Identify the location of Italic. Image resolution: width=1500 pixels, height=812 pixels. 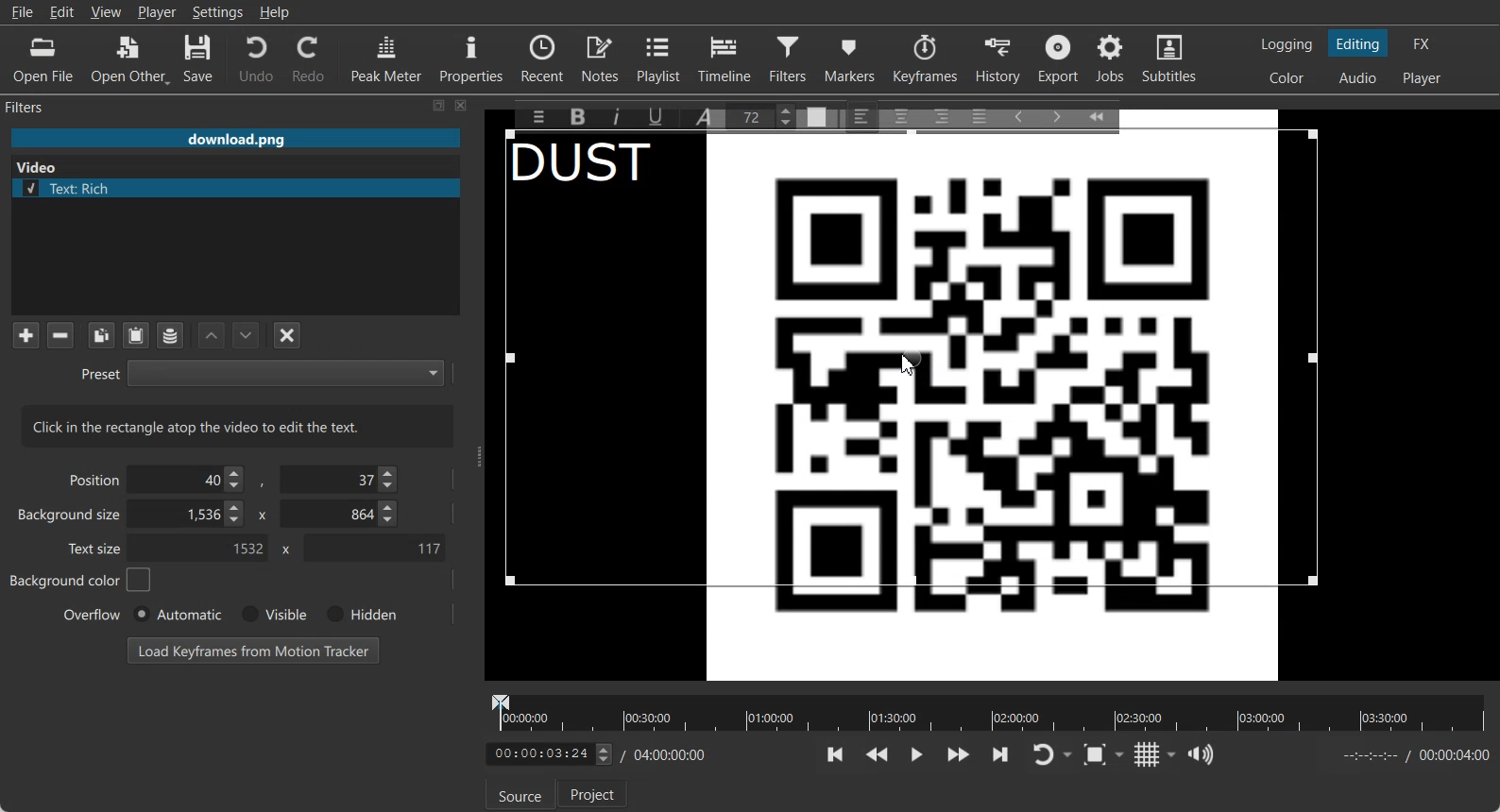
(620, 114).